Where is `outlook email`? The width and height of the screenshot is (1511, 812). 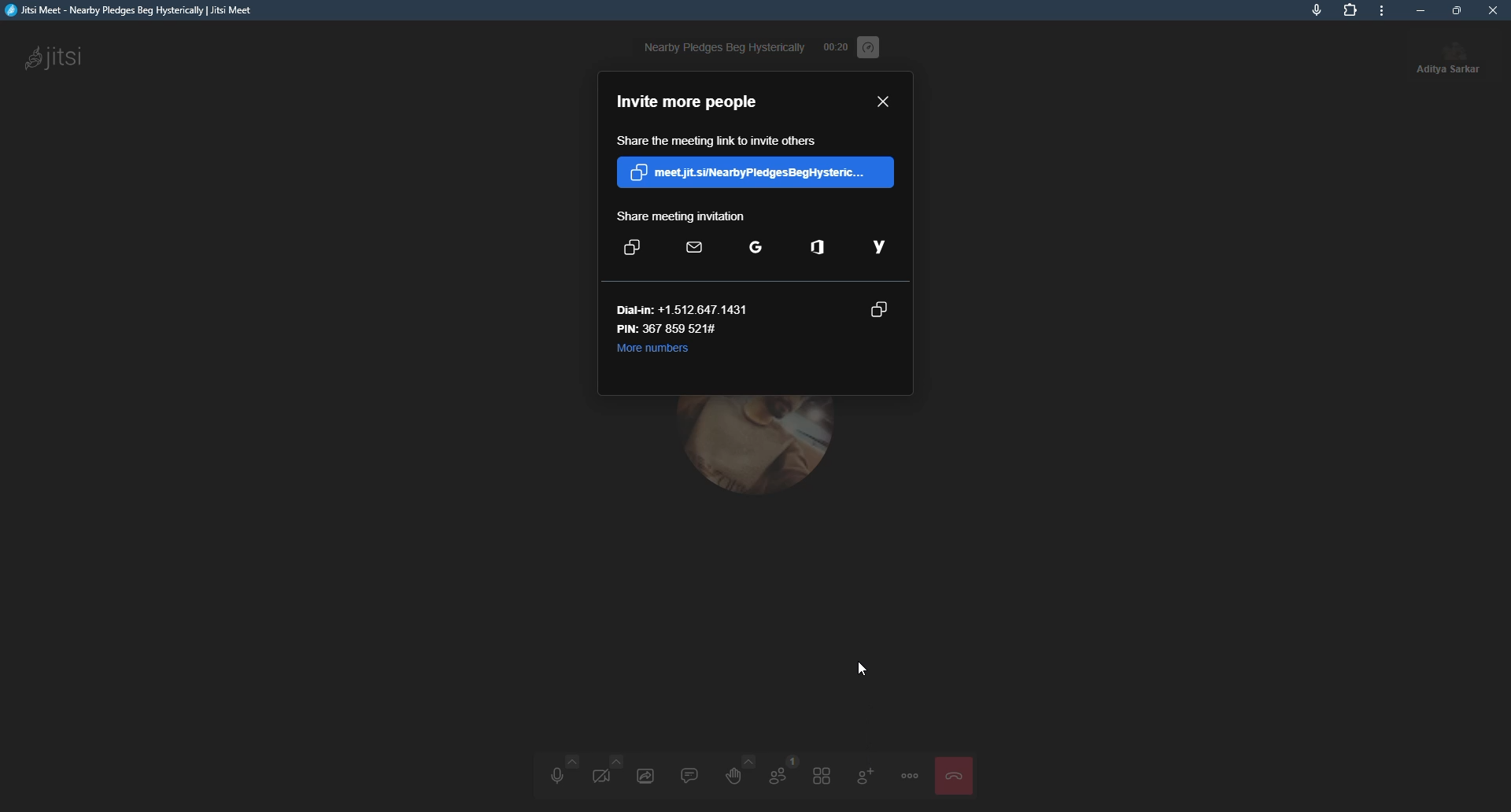
outlook email is located at coordinates (820, 249).